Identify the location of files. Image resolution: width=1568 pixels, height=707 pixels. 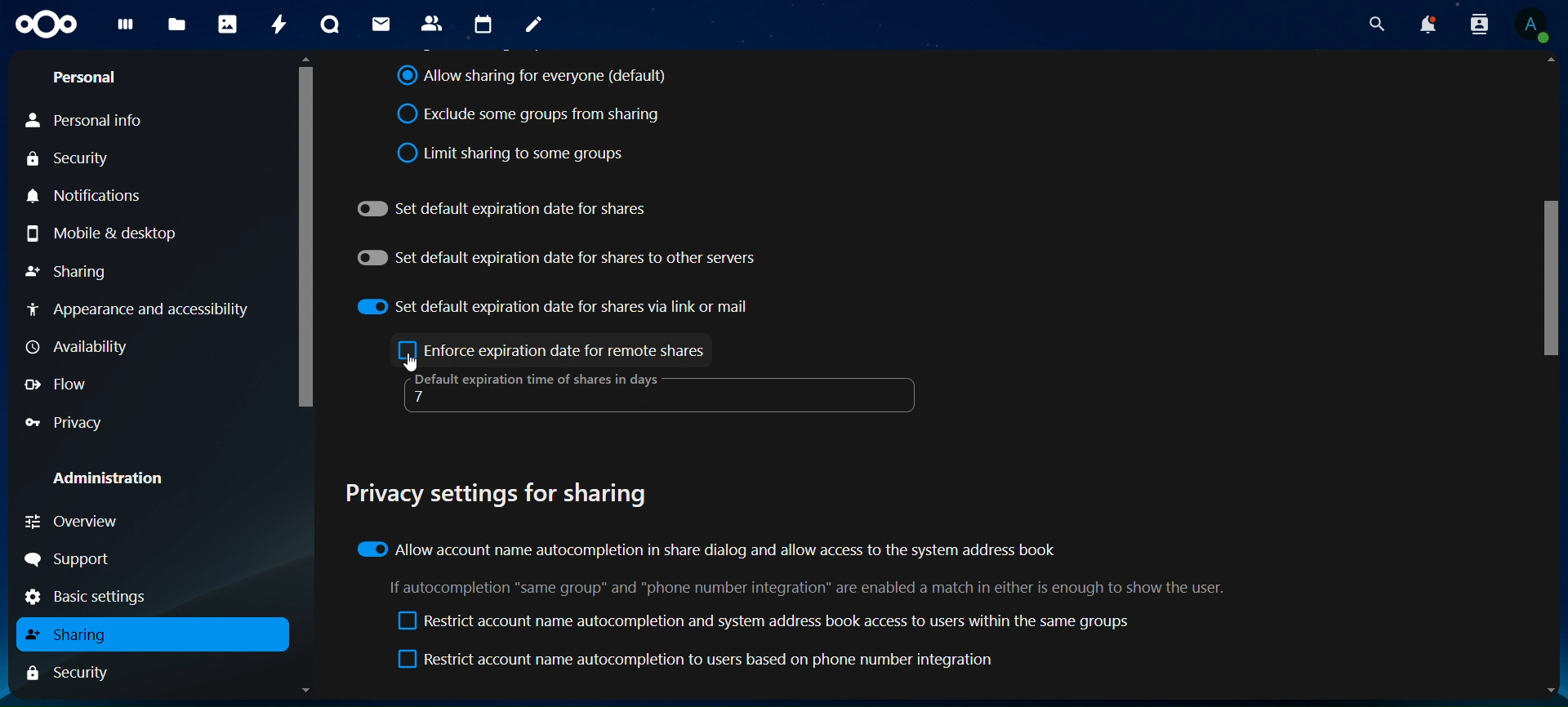
(176, 25).